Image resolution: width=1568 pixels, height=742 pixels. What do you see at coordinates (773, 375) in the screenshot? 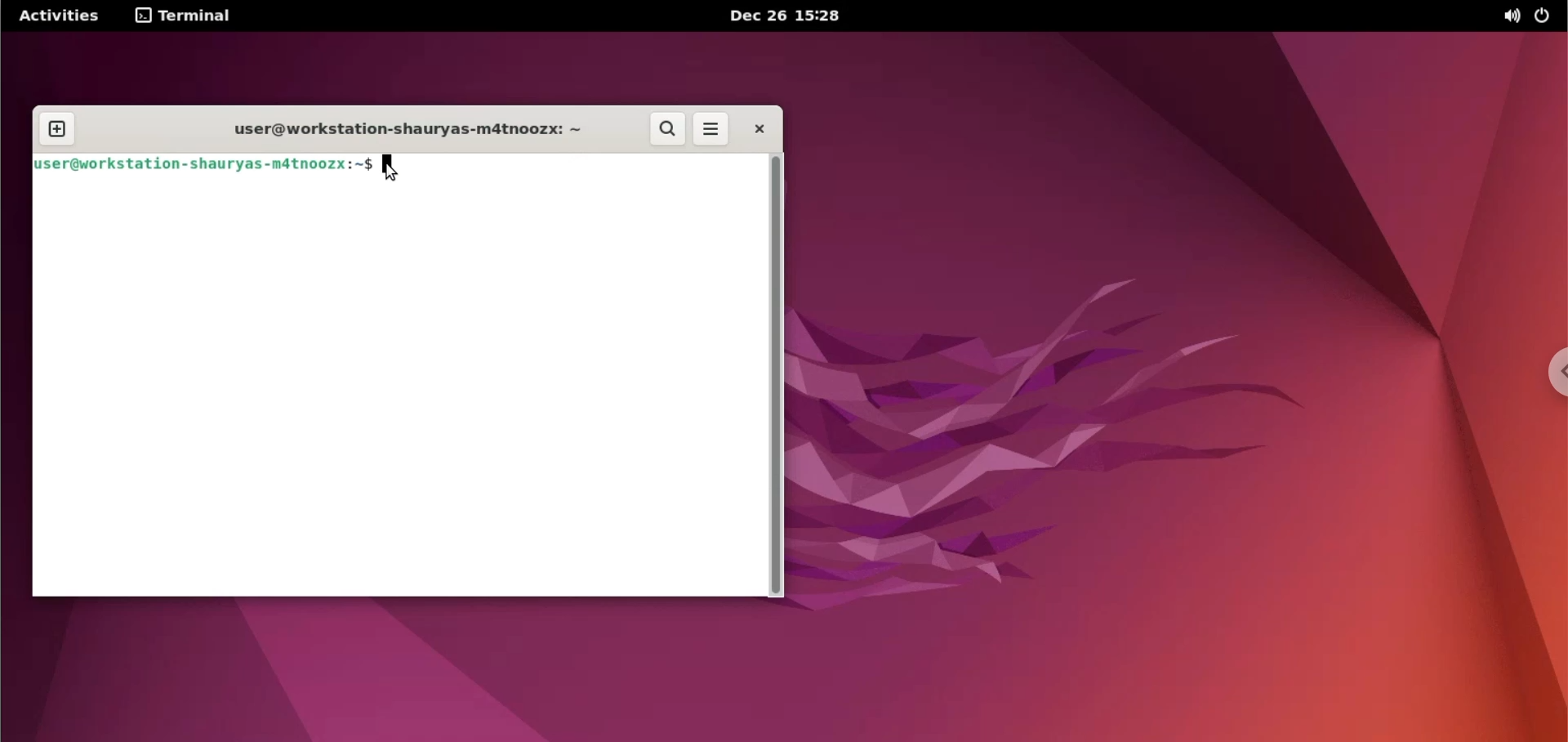
I see `scrollbar` at bounding box center [773, 375].